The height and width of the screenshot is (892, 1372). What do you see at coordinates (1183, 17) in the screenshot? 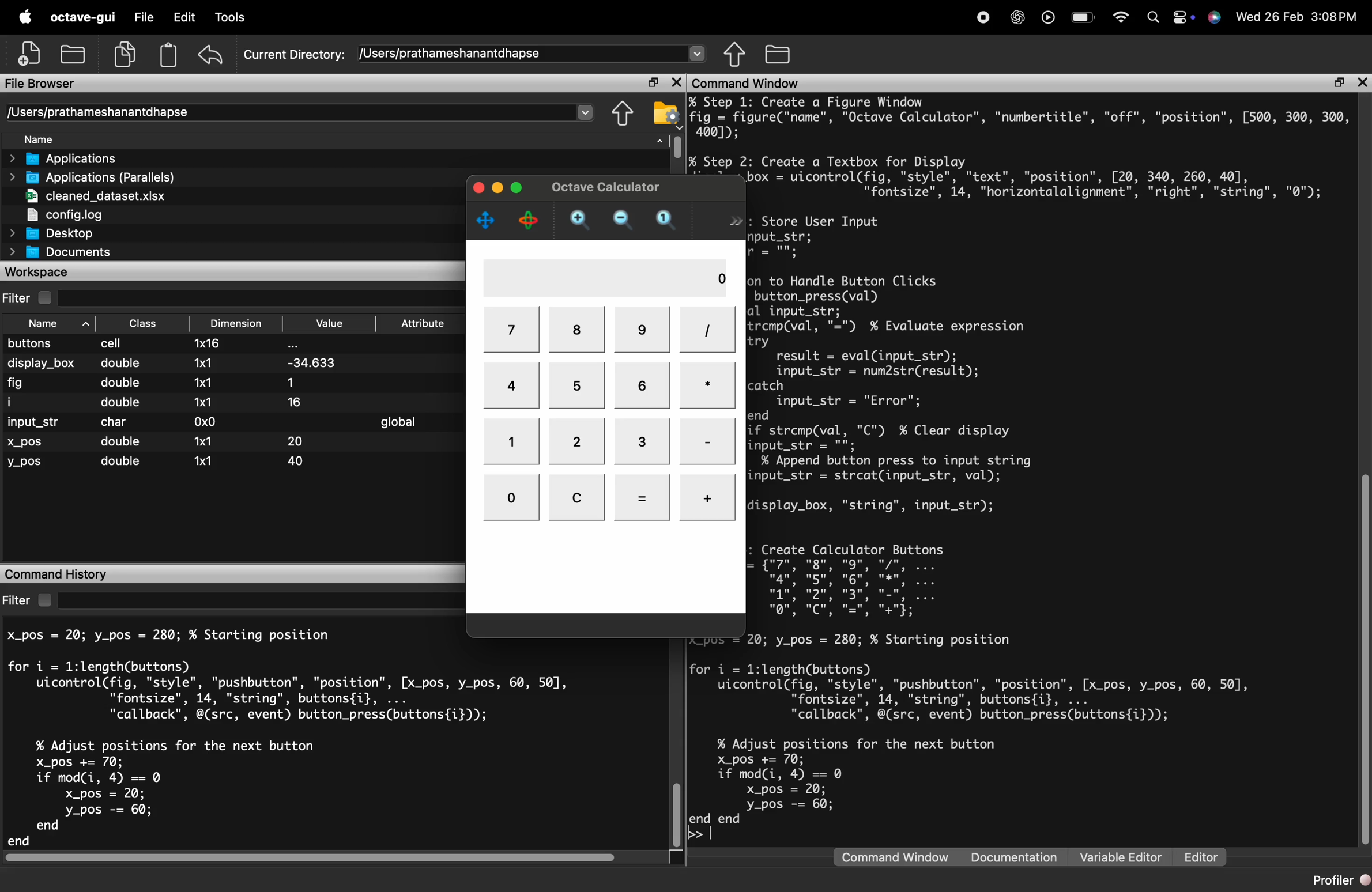
I see `control center` at bounding box center [1183, 17].